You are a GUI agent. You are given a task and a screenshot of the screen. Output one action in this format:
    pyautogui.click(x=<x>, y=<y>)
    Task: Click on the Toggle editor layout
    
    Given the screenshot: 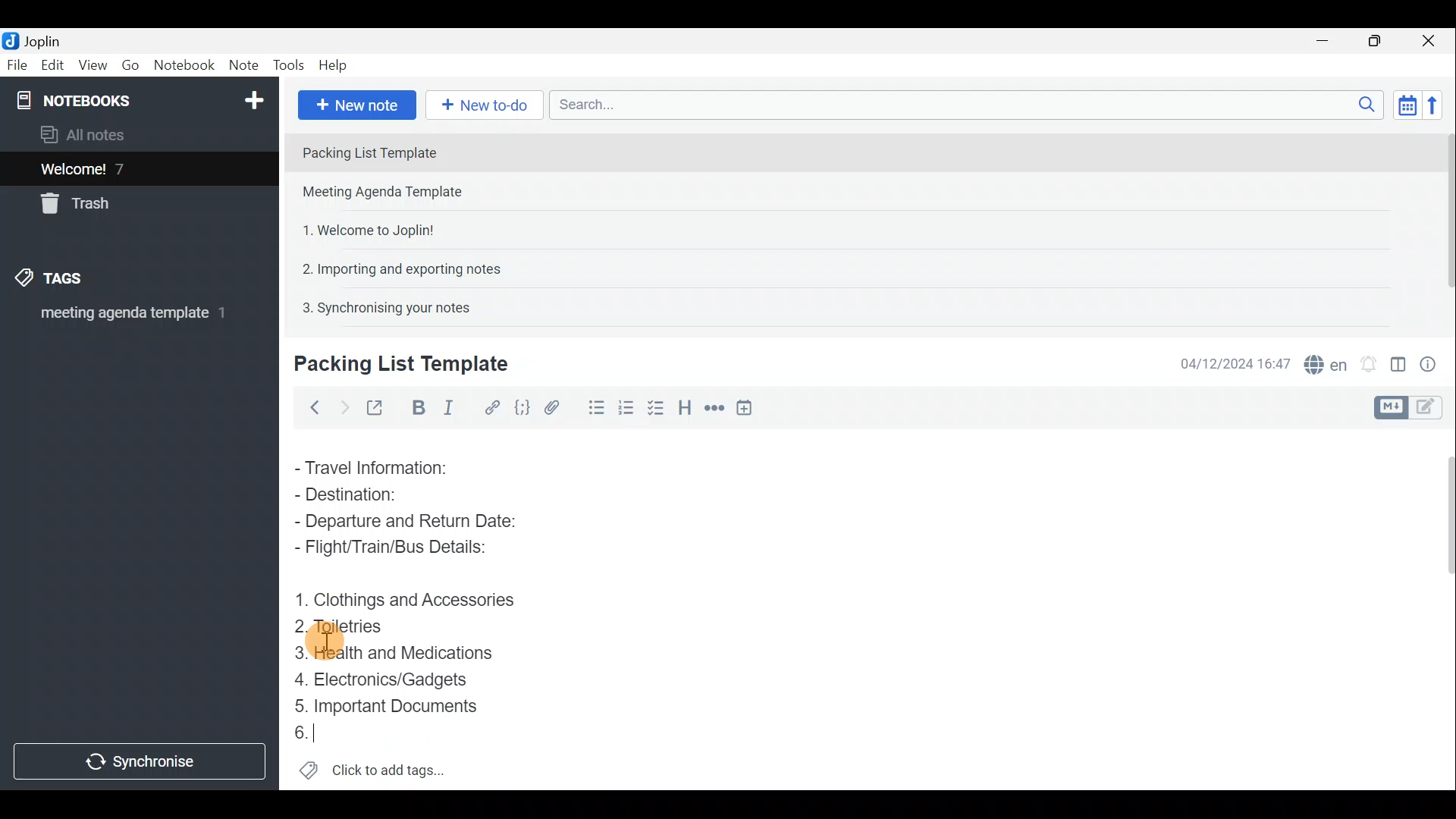 What is the action you would take?
    pyautogui.click(x=1398, y=359)
    